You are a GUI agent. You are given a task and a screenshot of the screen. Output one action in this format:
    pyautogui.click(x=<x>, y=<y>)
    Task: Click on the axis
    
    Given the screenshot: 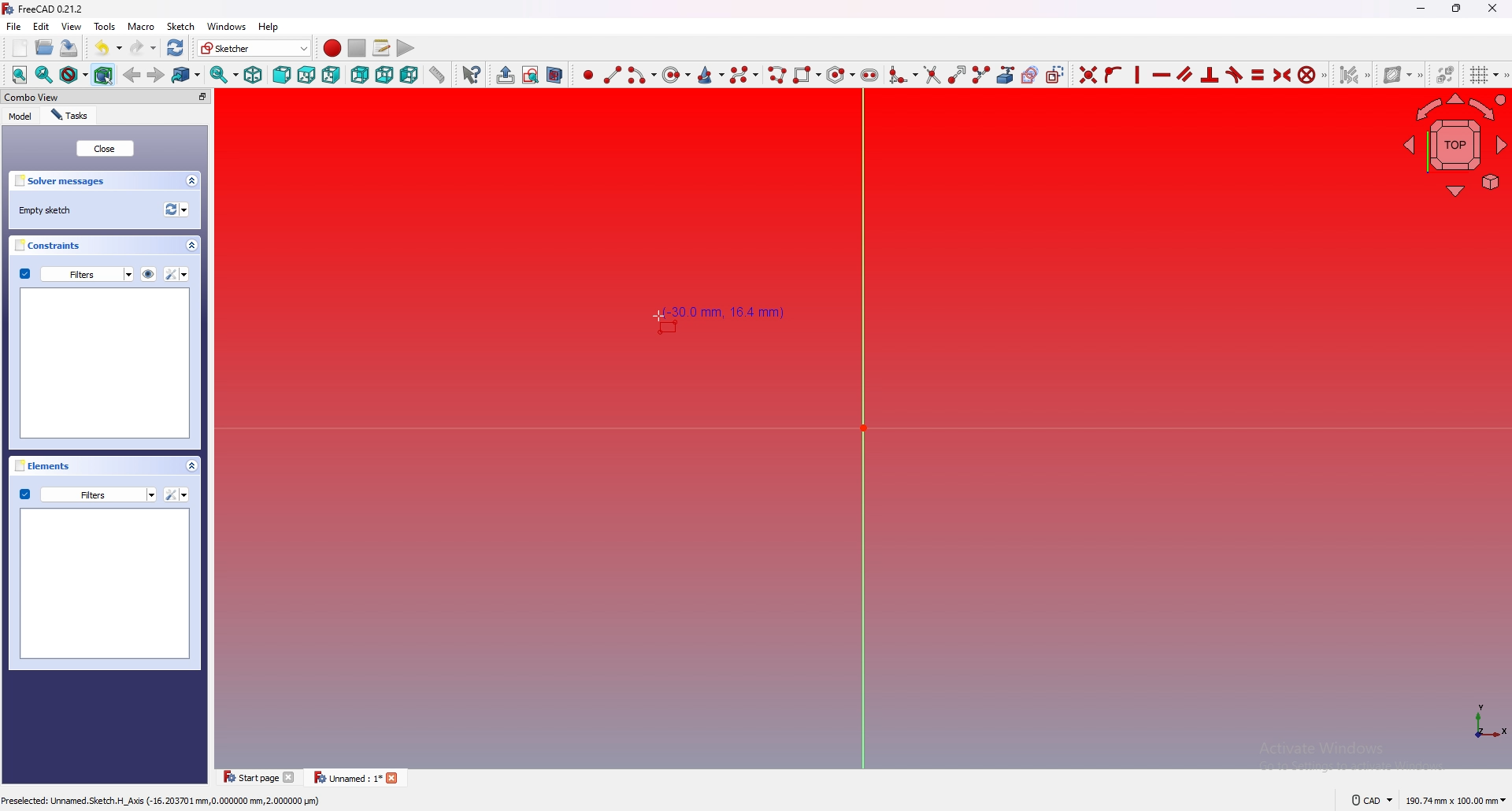 What is the action you would take?
    pyautogui.click(x=1488, y=724)
    